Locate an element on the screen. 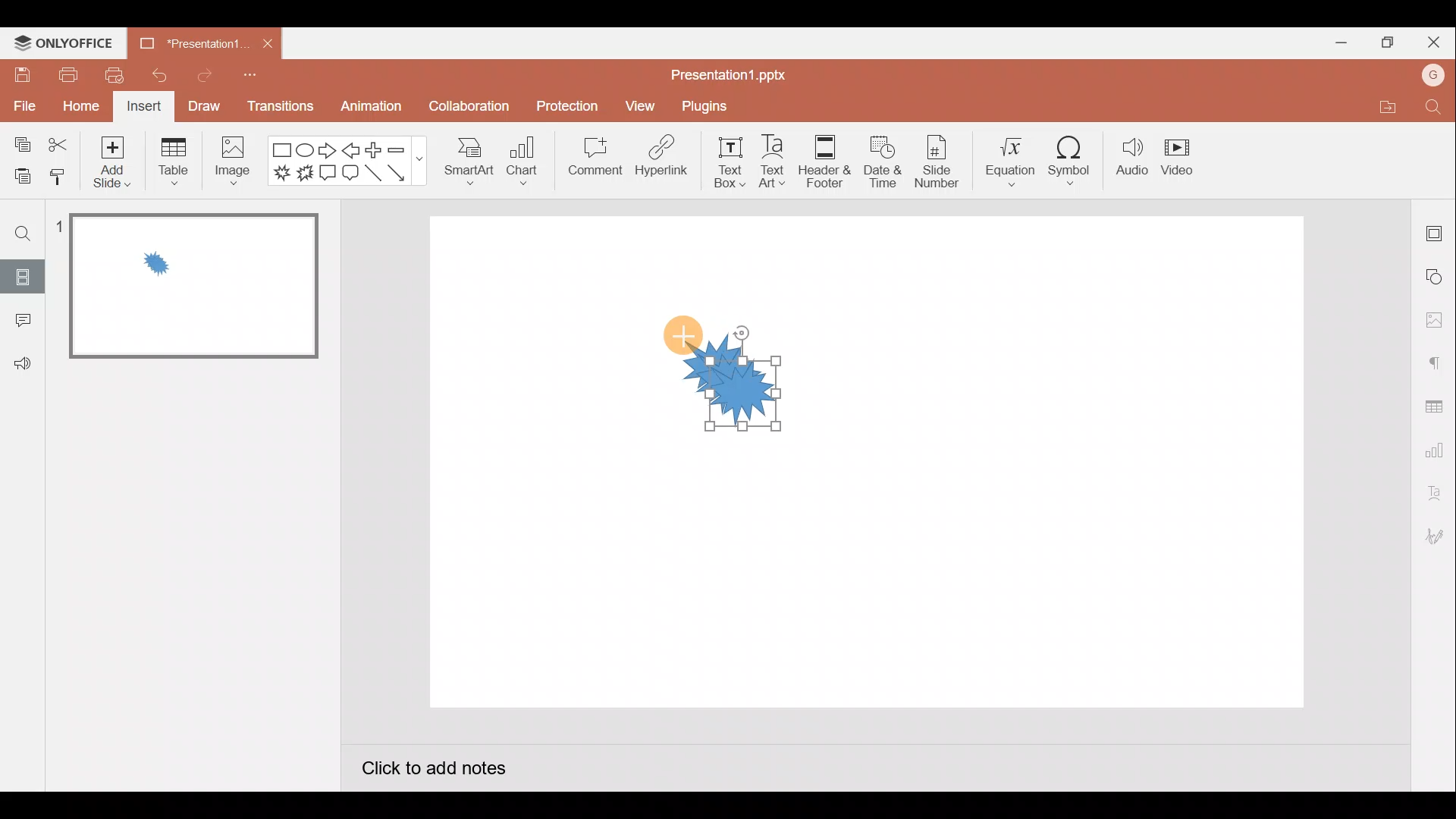 This screenshot has height=819, width=1456. Audio is located at coordinates (1130, 162).